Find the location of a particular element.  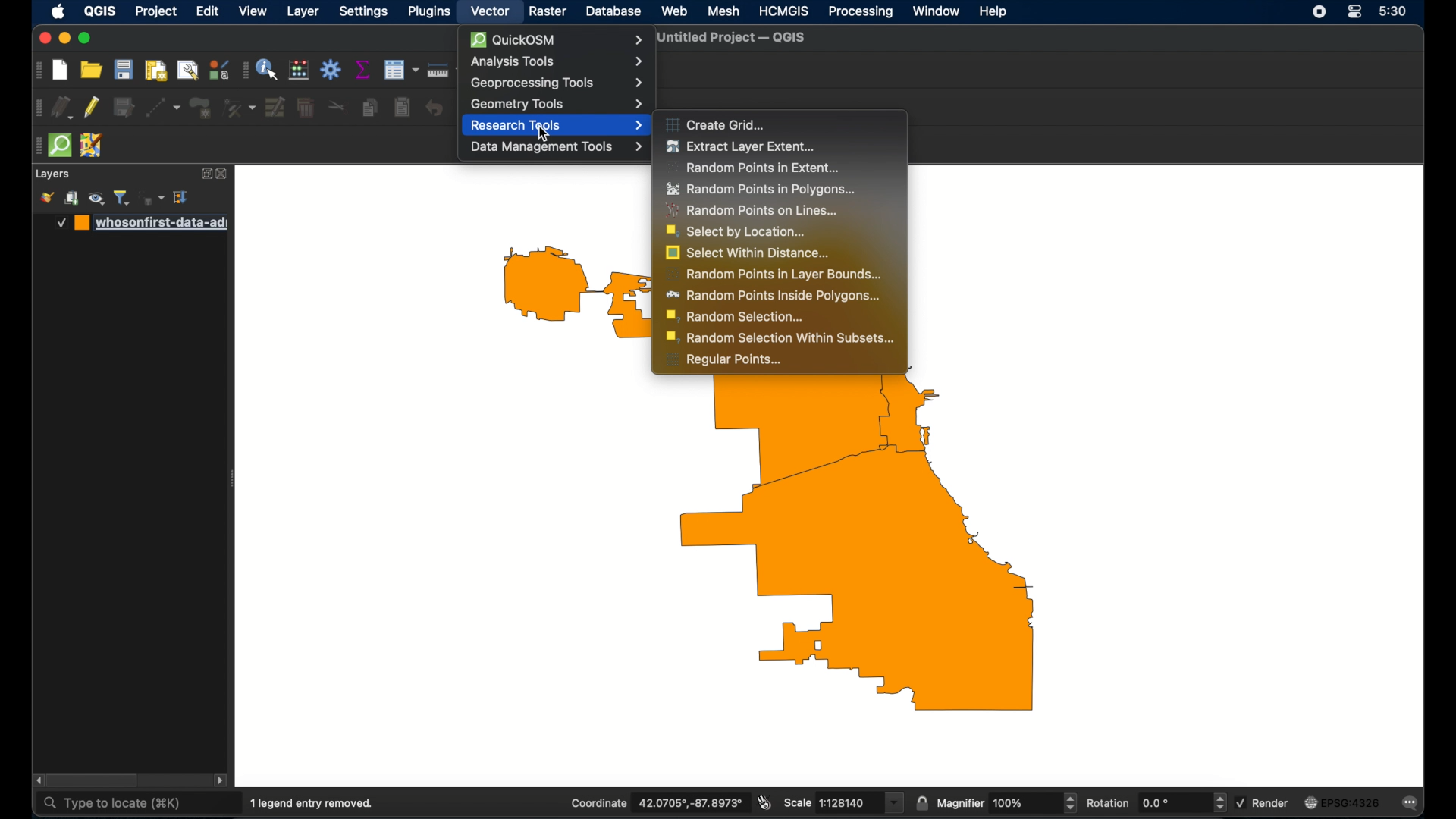

quickOSM is located at coordinates (557, 40).